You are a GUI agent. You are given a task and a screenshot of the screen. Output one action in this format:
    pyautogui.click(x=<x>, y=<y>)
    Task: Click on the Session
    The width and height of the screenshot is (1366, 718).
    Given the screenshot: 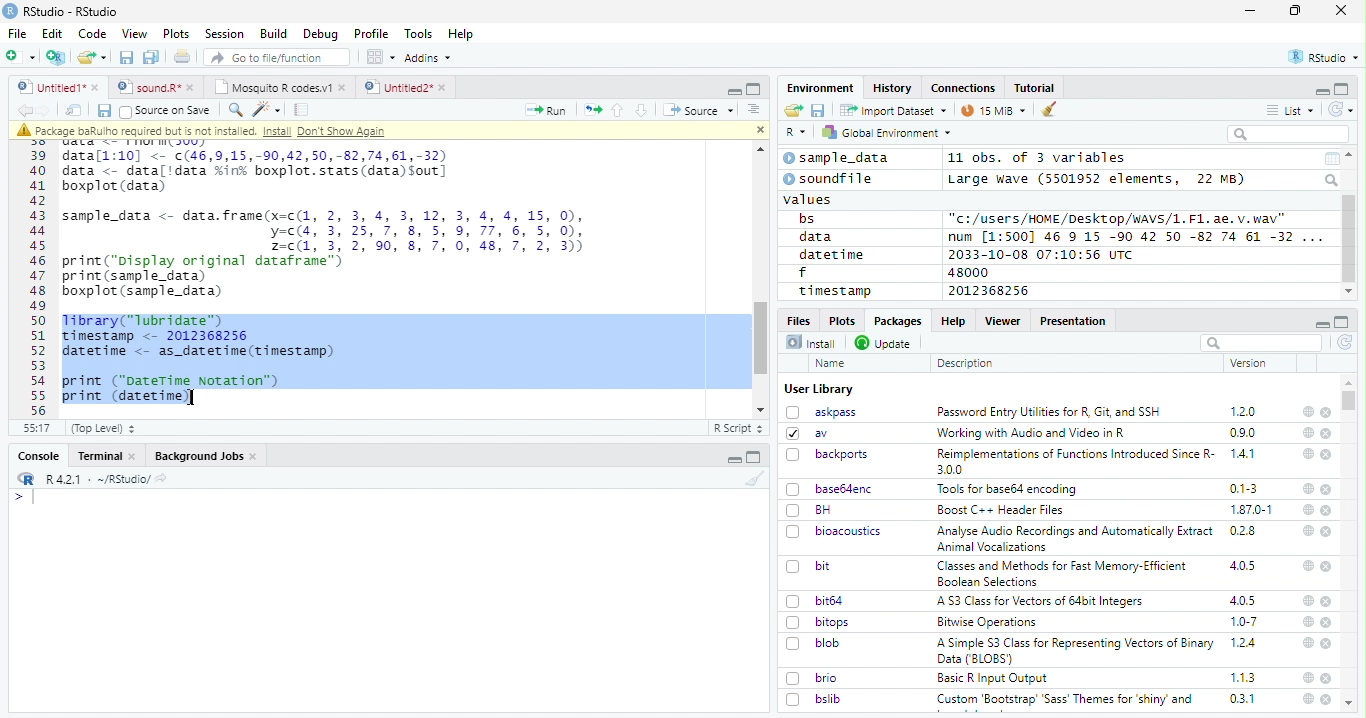 What is the action you would take?
    pyautogui.click(x=223, y=34)
    